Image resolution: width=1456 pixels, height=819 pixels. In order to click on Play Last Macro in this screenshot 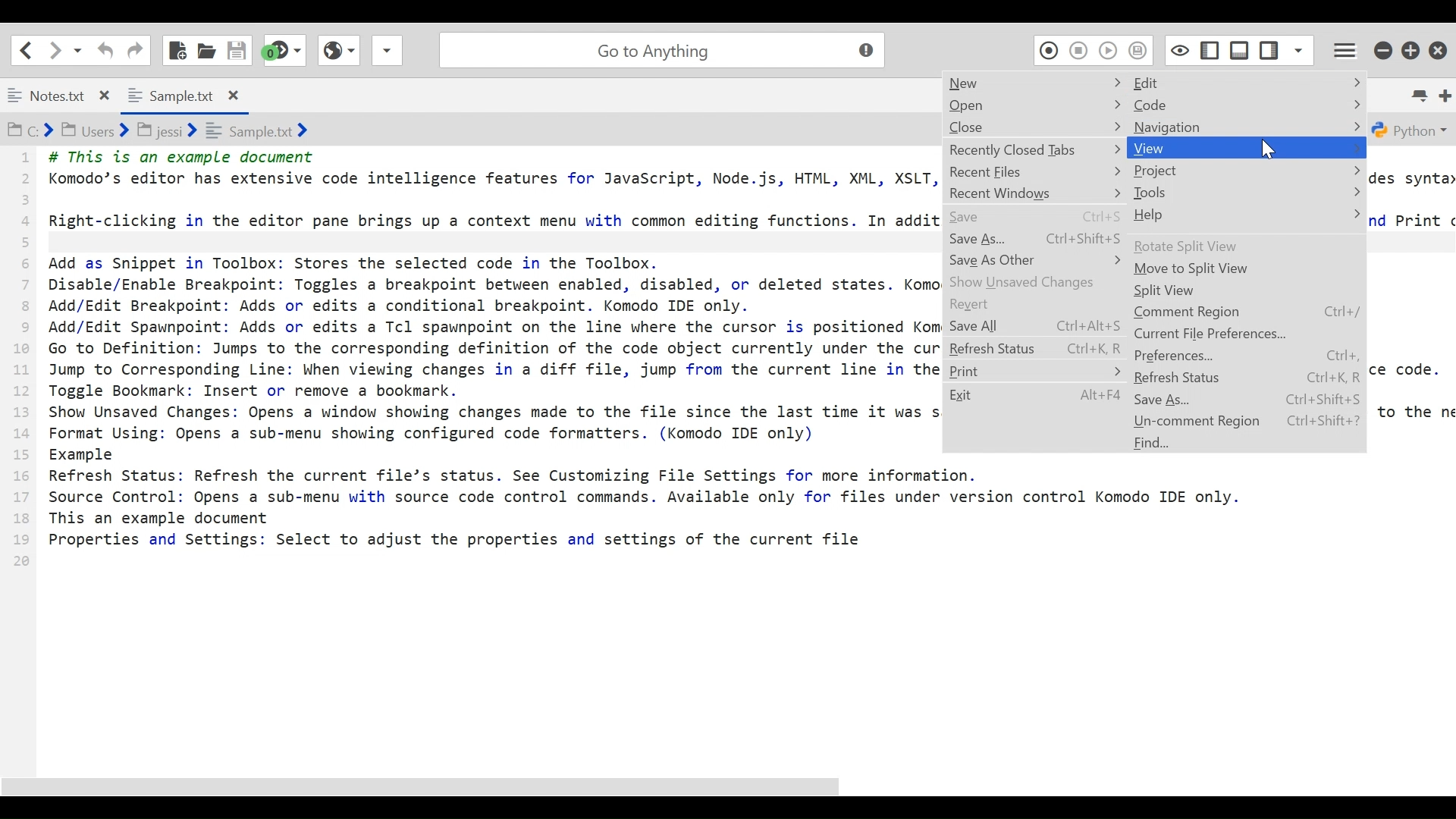, I will do `click(1109, 50)`.